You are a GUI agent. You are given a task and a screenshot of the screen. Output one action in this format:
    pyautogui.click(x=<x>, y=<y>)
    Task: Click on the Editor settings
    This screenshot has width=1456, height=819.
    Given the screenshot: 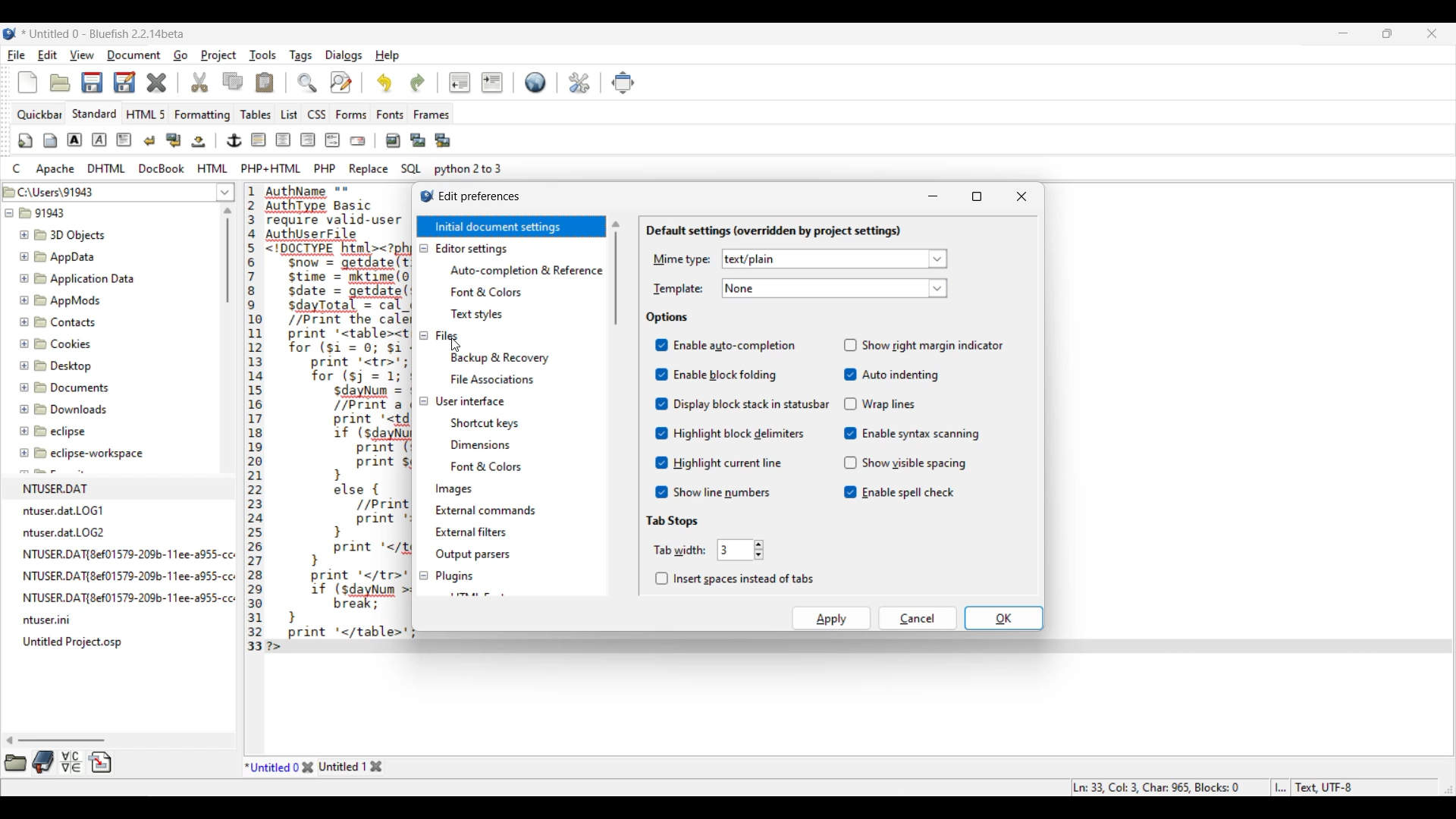 What is the action you would take?
    pyautogui.click(x=473, y=249)
    